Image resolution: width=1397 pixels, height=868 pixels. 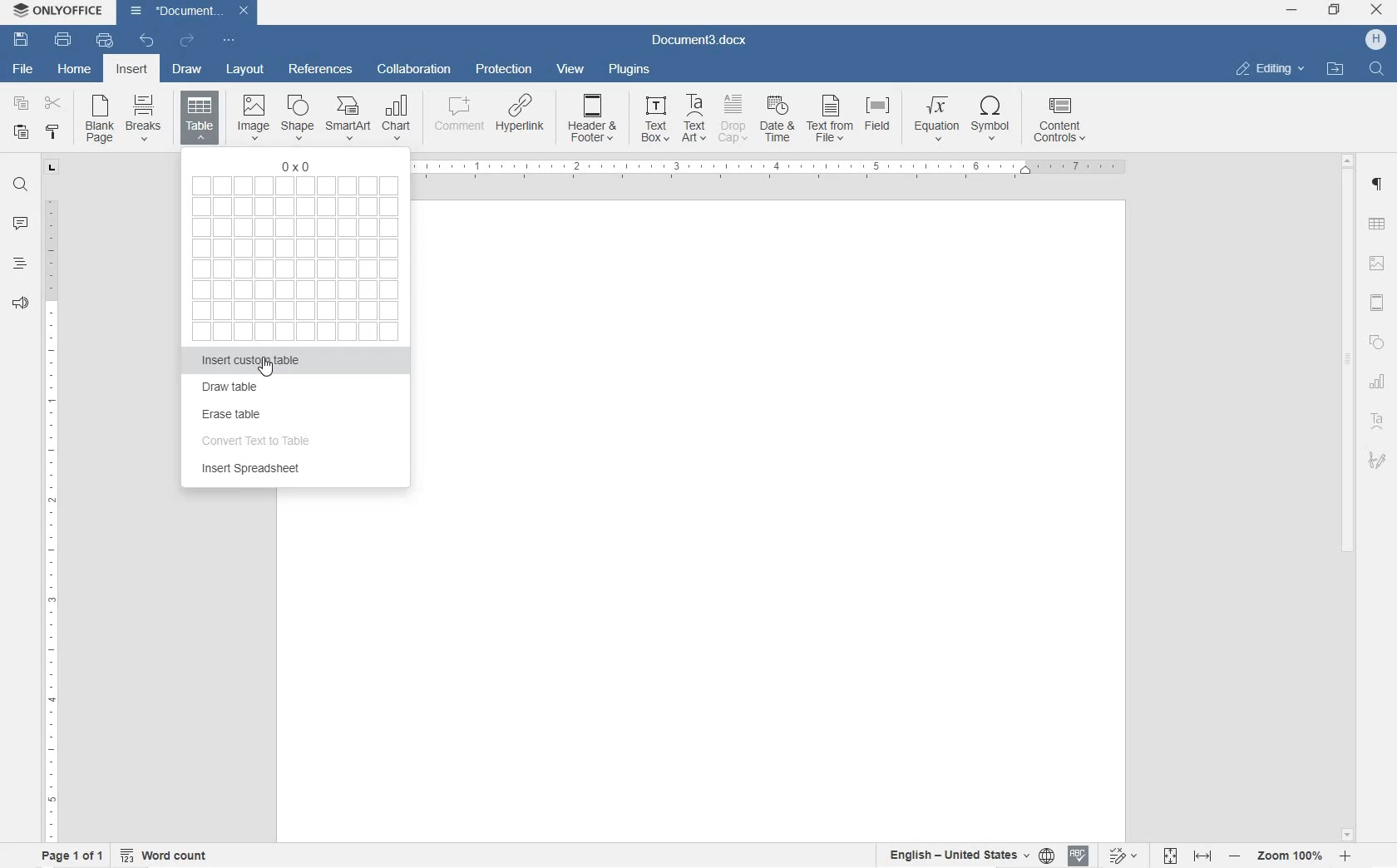 What do you see at coordinates (775, 169) in the screenshot?
I see `Ruler` at bounding box center [775, 169].